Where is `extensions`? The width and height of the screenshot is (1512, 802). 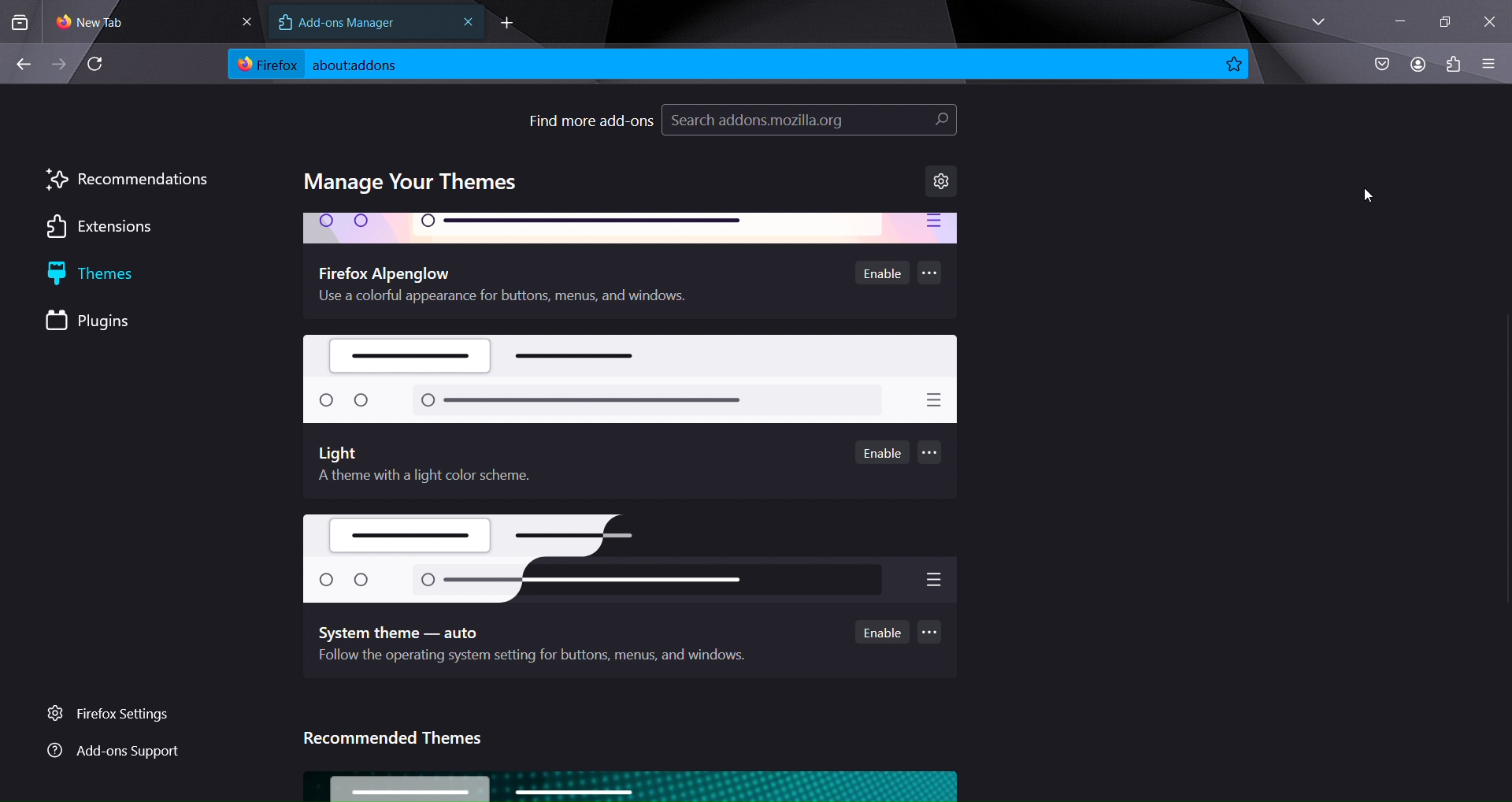
extensions is located at coordinates (1451, 63).